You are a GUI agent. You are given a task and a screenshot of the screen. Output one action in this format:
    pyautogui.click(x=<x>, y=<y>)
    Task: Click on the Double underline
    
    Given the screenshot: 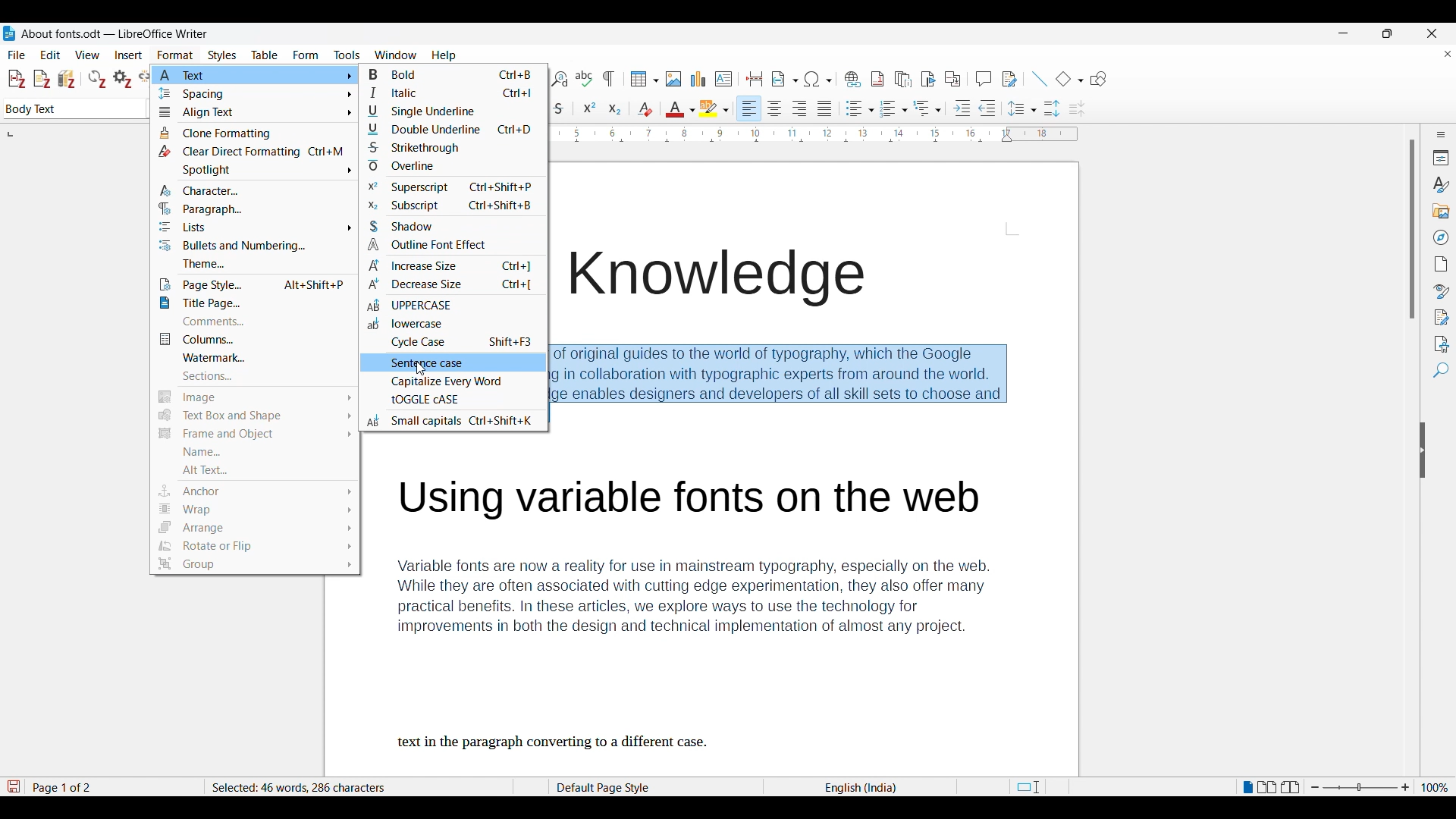 What is the action you would take?
    pyautogui.click(x=450, y=130)
    